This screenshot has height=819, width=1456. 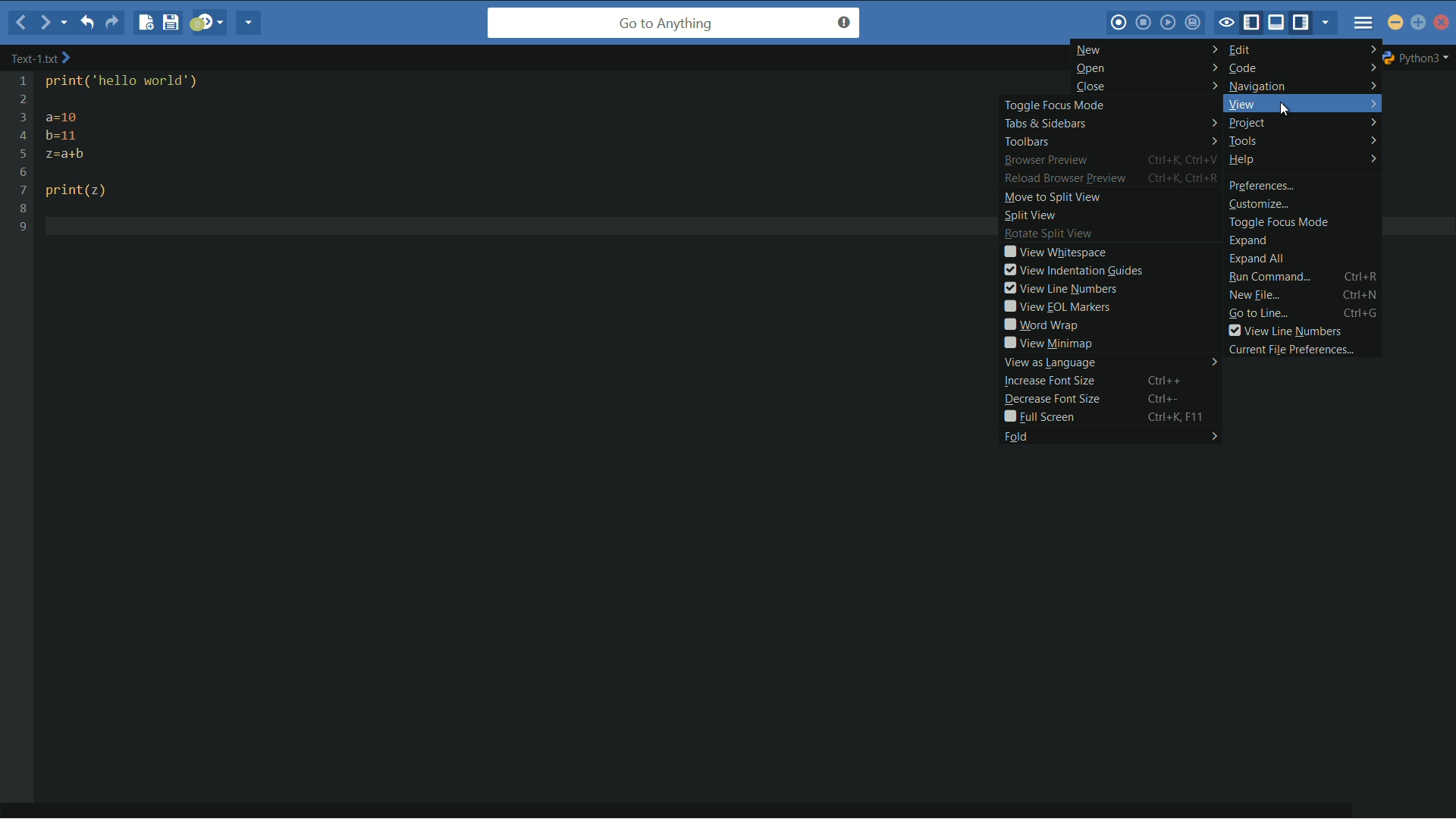 What do you see at coordinates (1031, 217) in the screenshot?
I see `split view` at bounding box center [1031, 217].